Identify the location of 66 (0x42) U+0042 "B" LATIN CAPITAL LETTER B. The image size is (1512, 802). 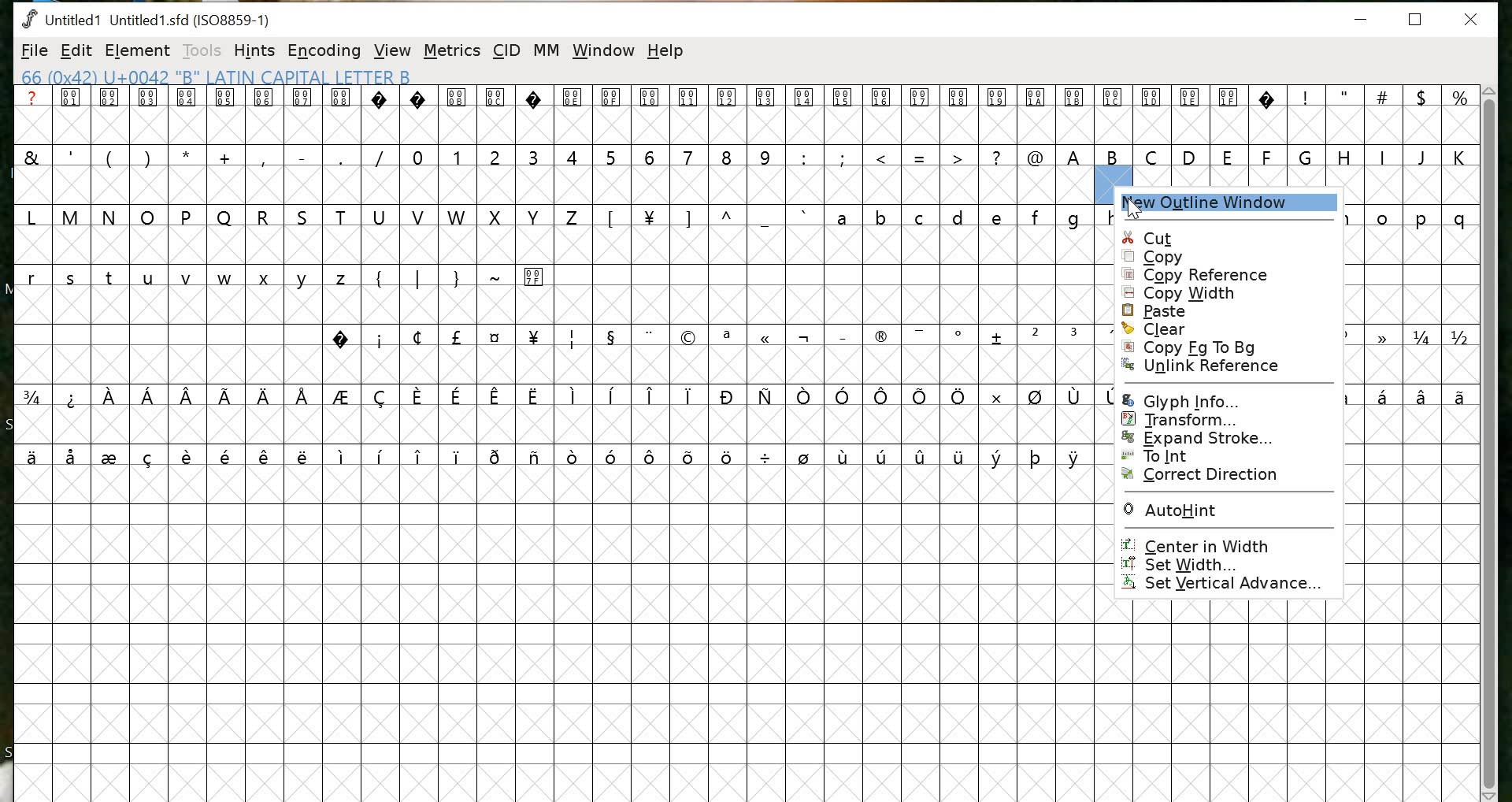
(220, 77).